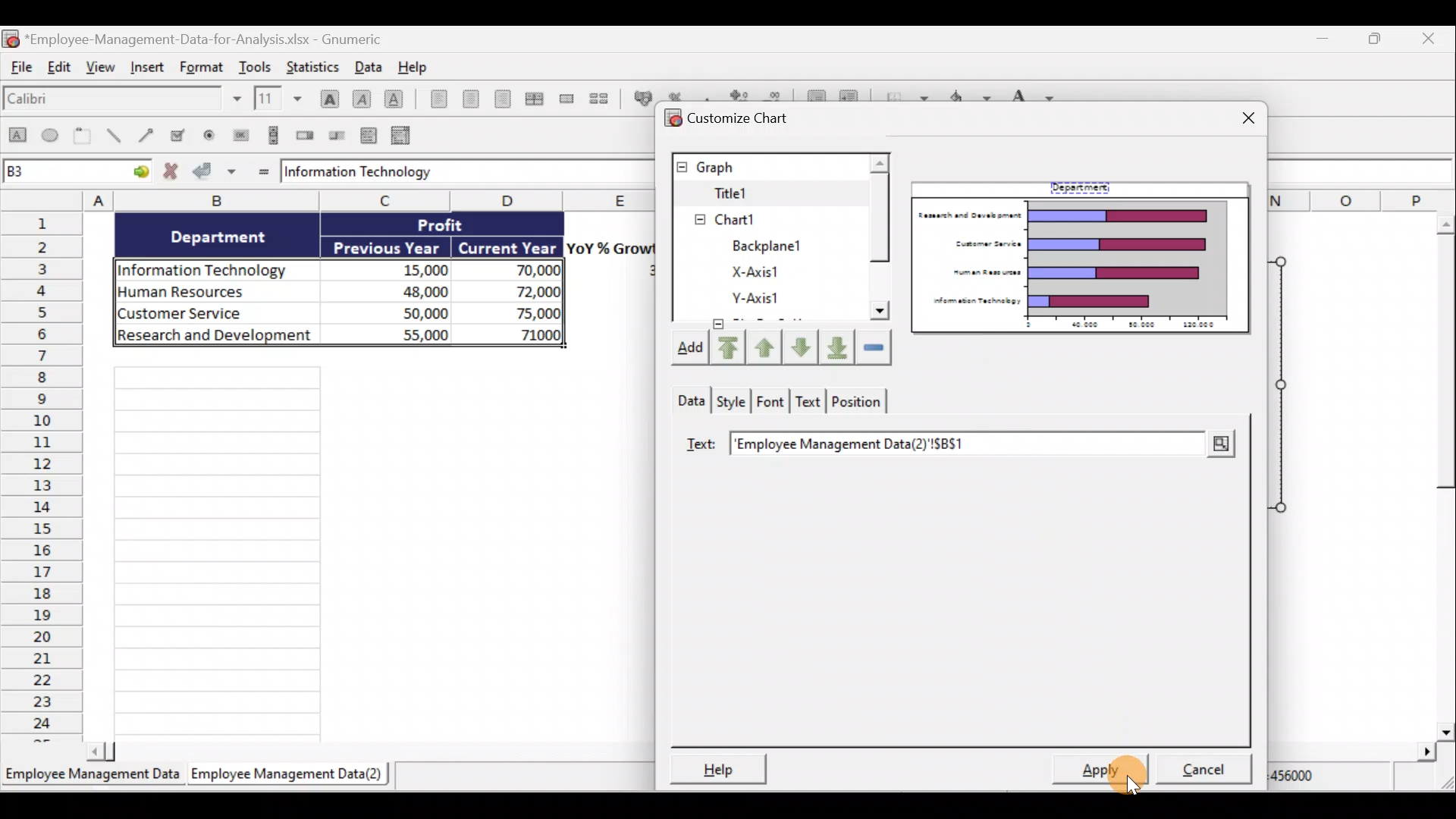 This screenshot has width=1456, height=819. What do you see at coordinates (1109, 767) in the screenshot?
I see `Cursor` at bounding box center [1109, 767].